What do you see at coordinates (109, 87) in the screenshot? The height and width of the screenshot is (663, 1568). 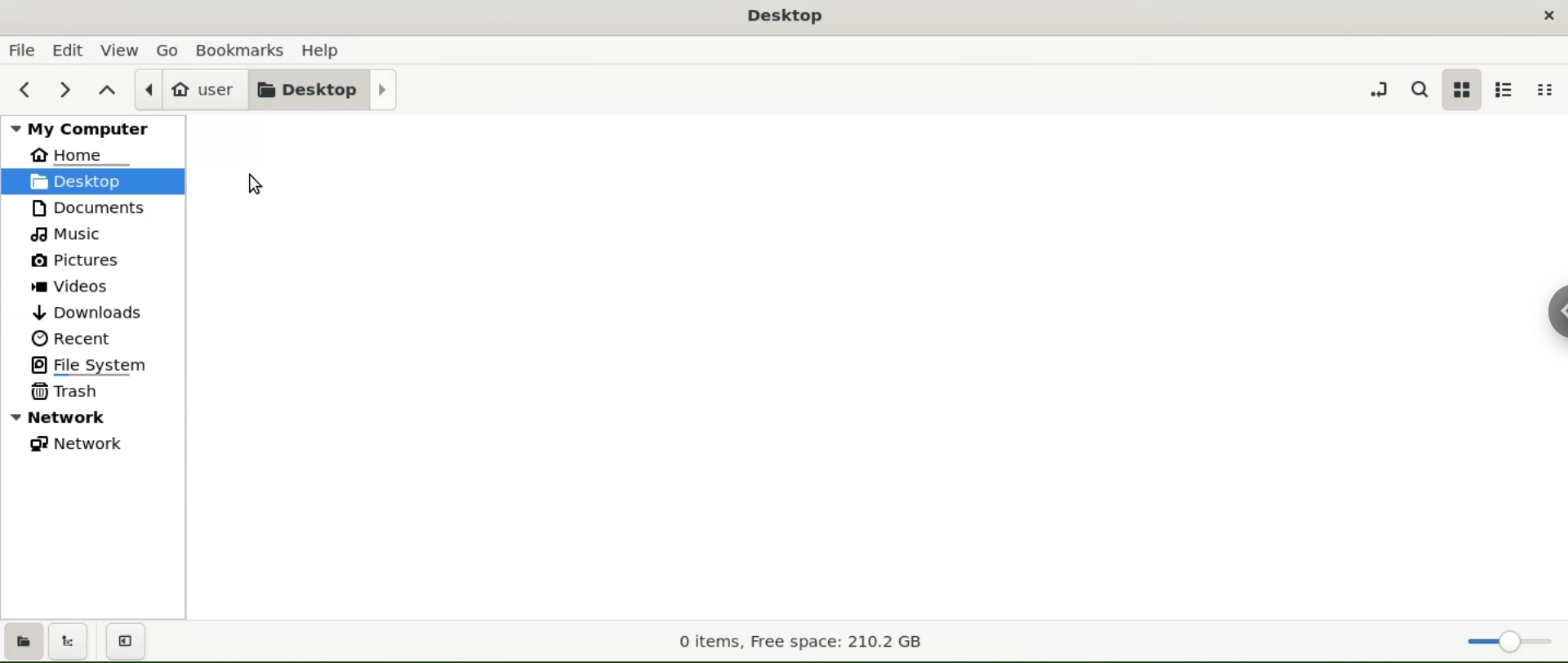 I see `parent folder` at bounding box center [109, 87].